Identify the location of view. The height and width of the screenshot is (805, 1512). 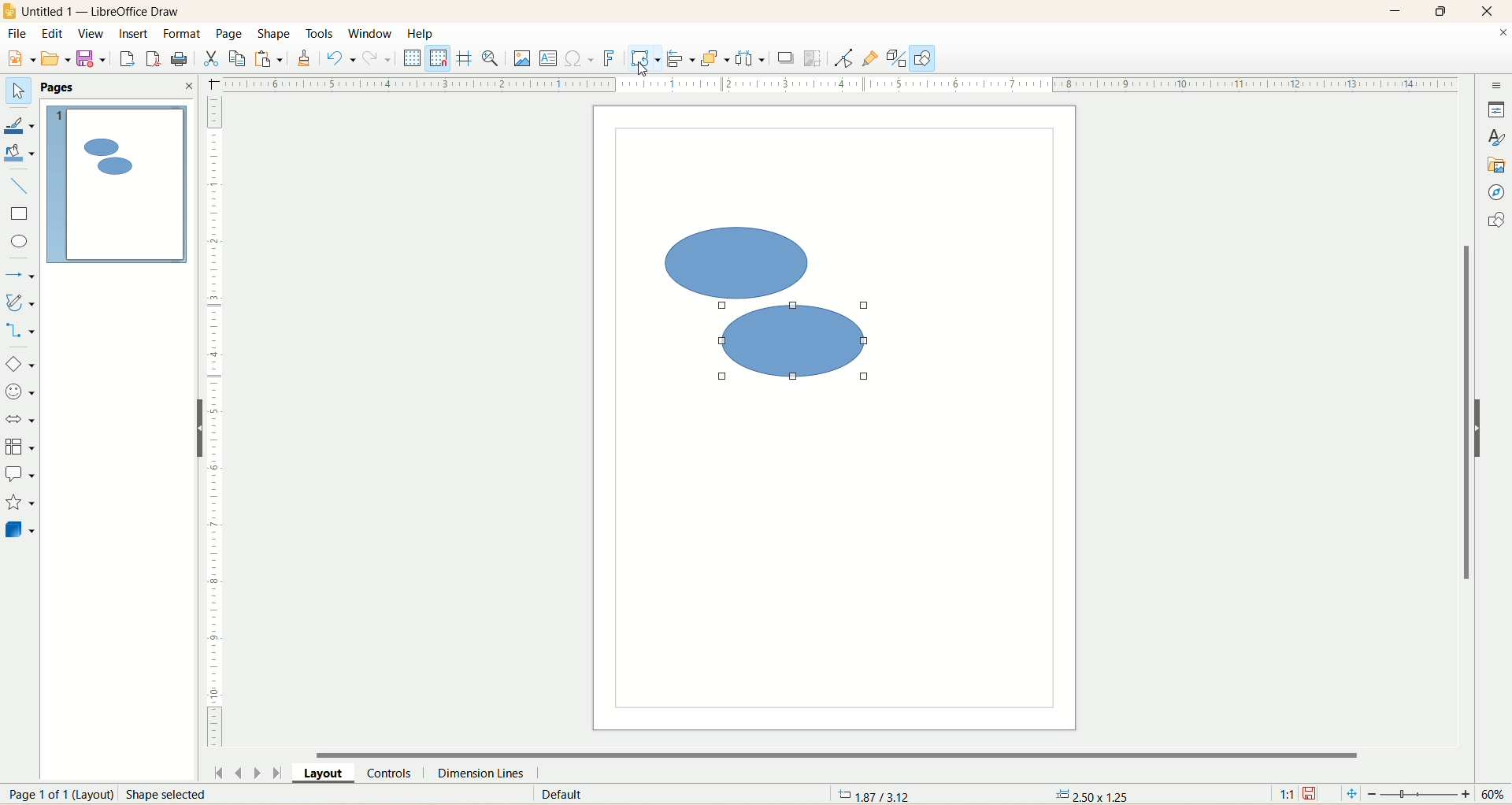
(88, 32).